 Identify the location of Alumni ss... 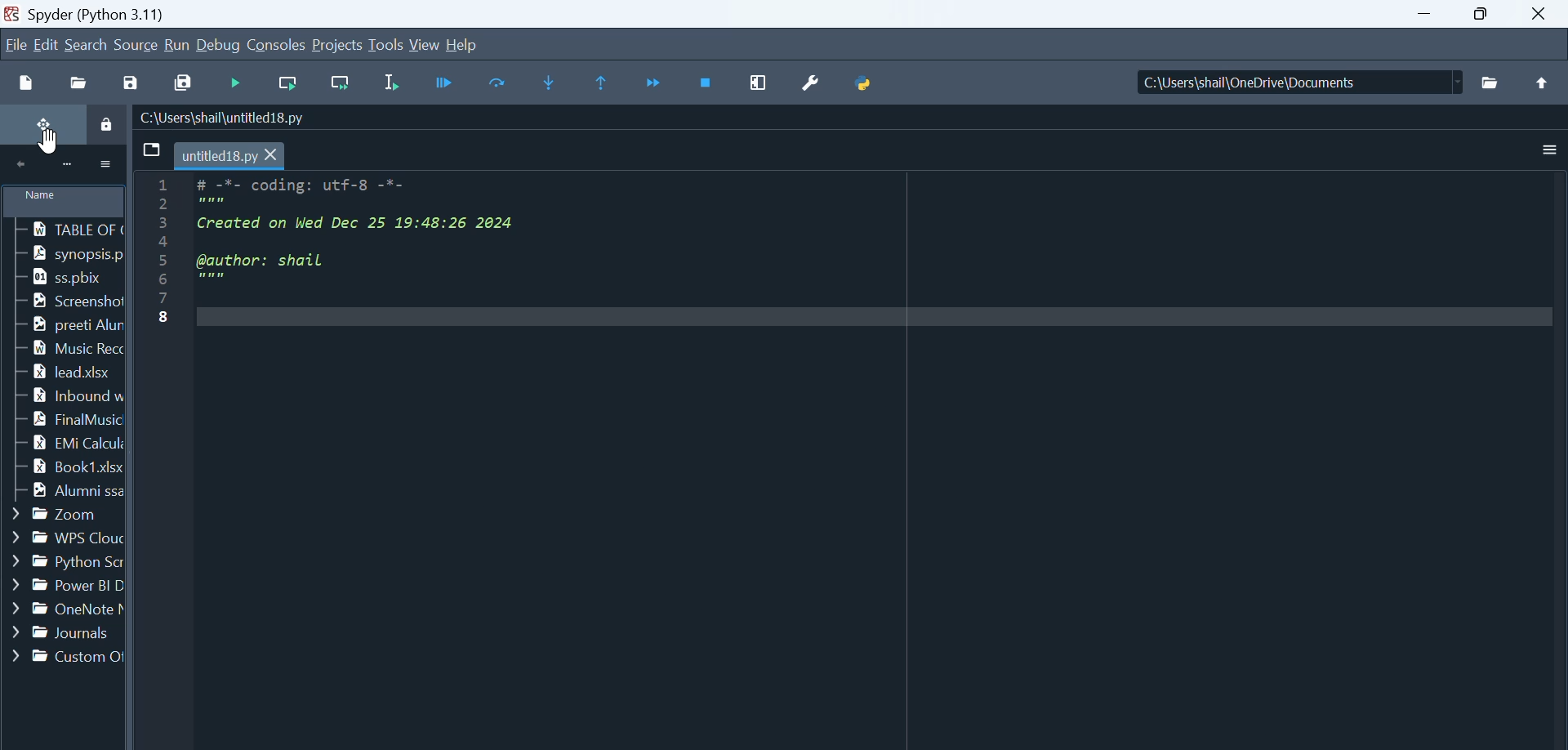
(62, 493).